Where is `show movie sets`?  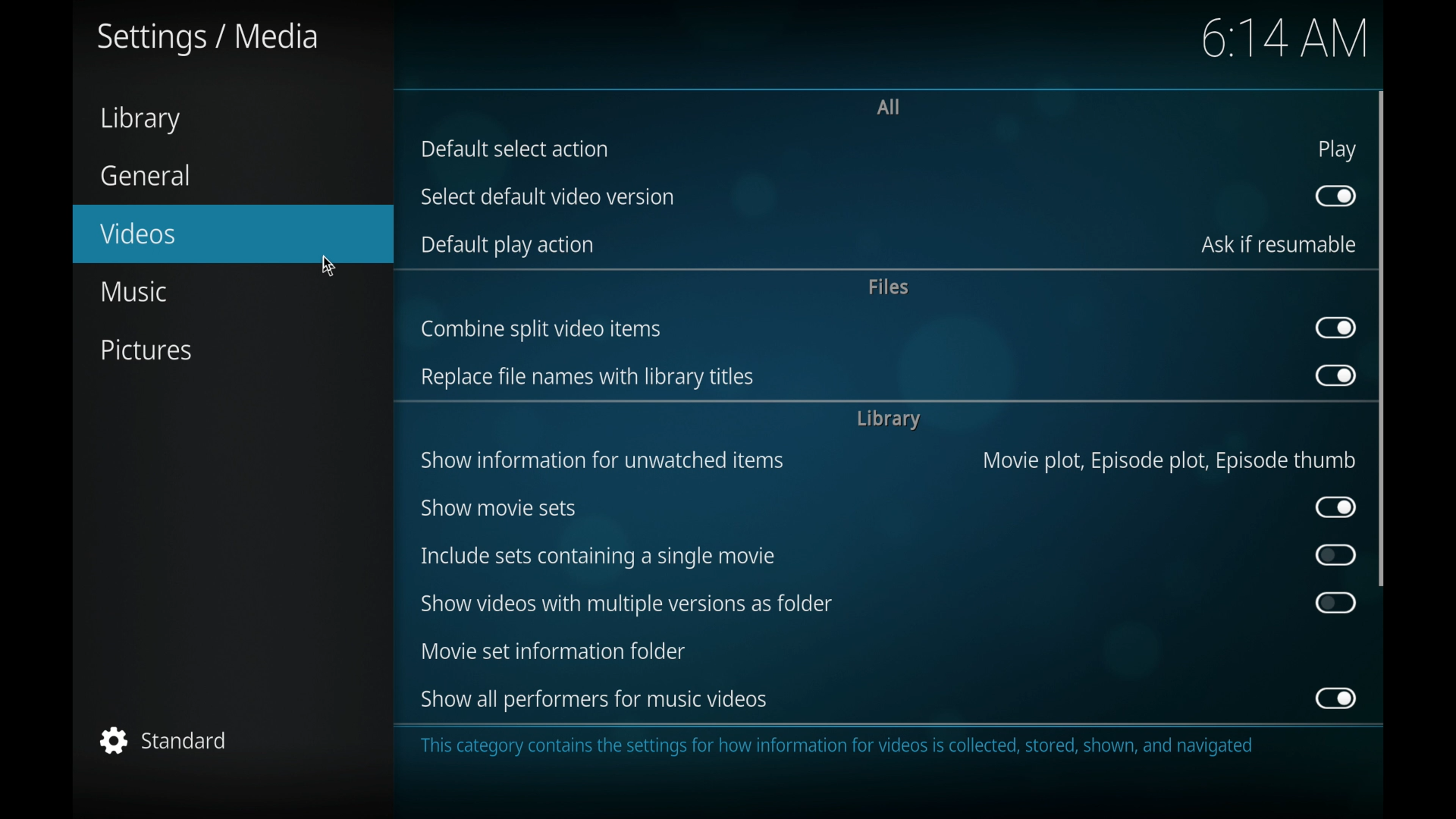
show movie sets is located at coordinates (499, 509).